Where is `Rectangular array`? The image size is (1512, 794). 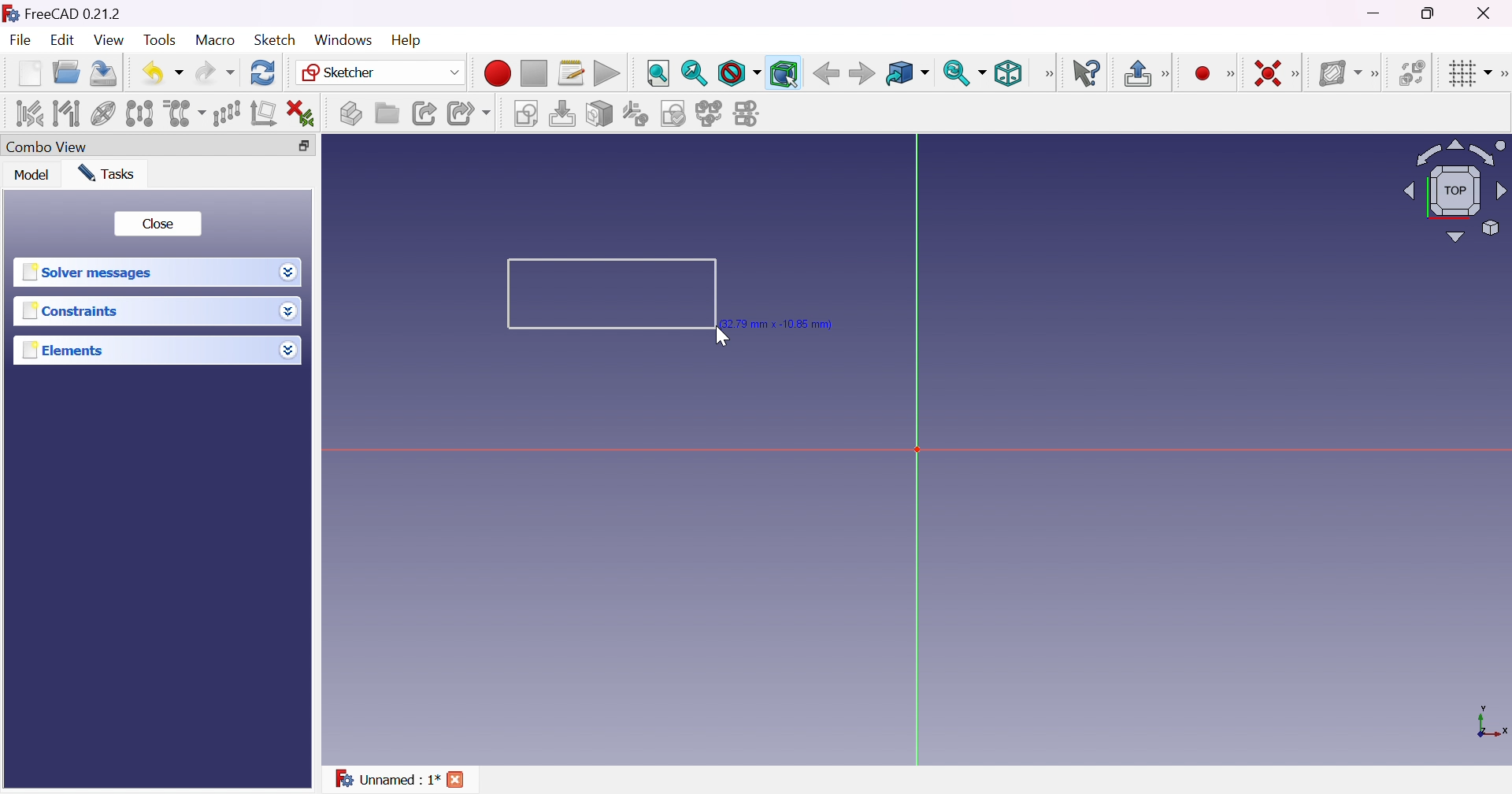 Rectangular array is located at coordinates (226, 114).